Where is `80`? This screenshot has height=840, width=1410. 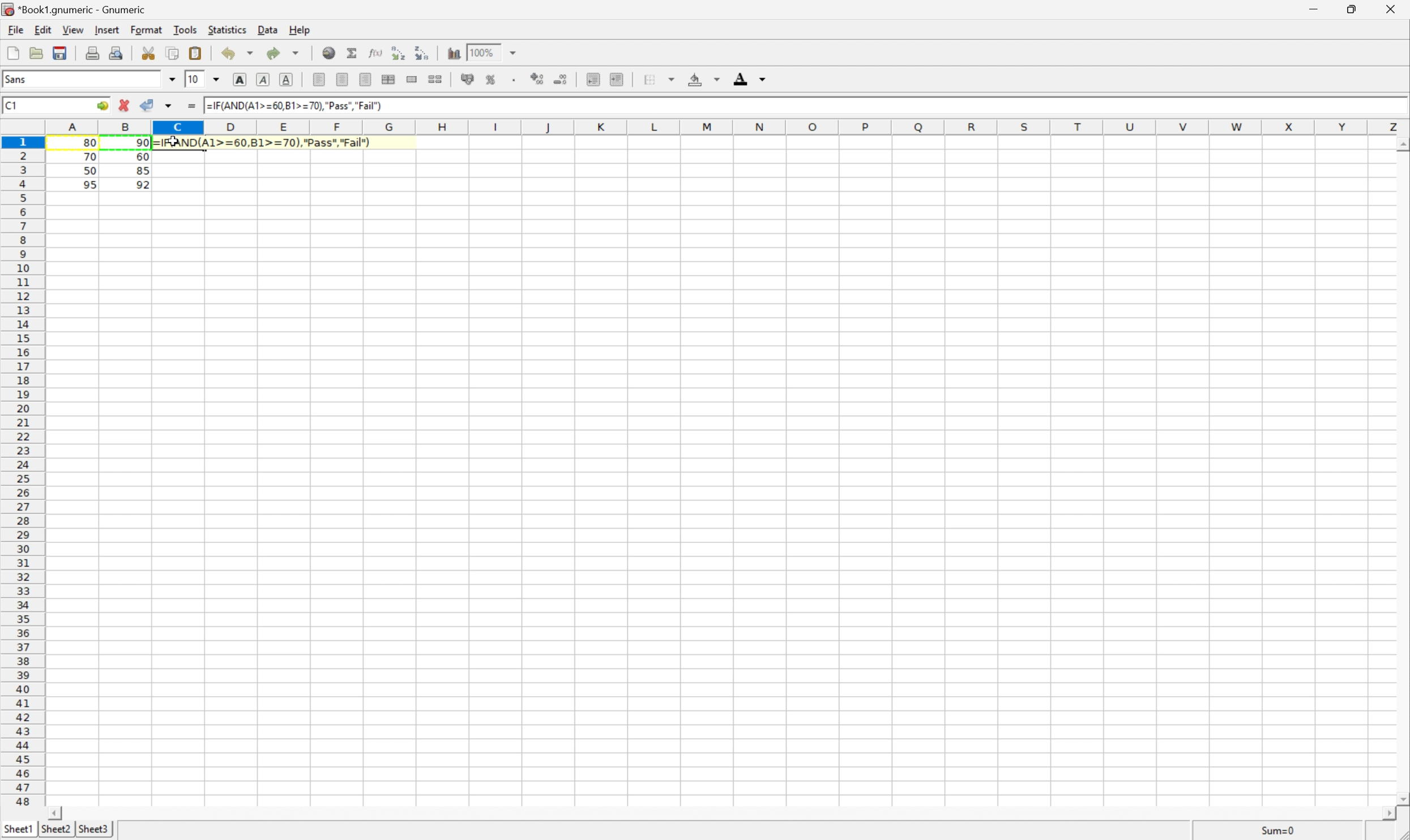
80 is located at coordinates (93, 140).